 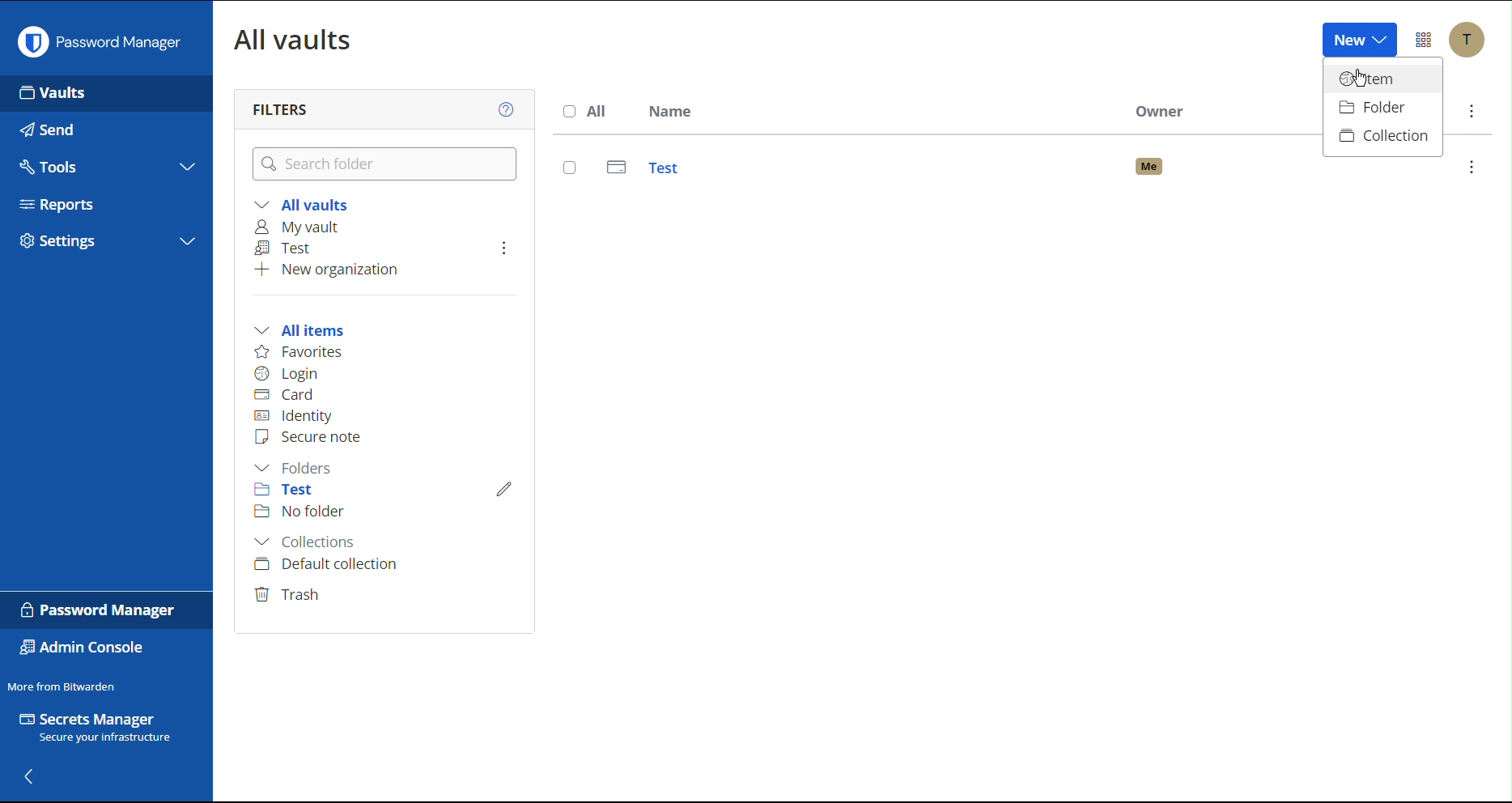 What do you see at coordinates (301, 204) in the screenshot?
I see `All vaults` at bounding box center [301, 204].